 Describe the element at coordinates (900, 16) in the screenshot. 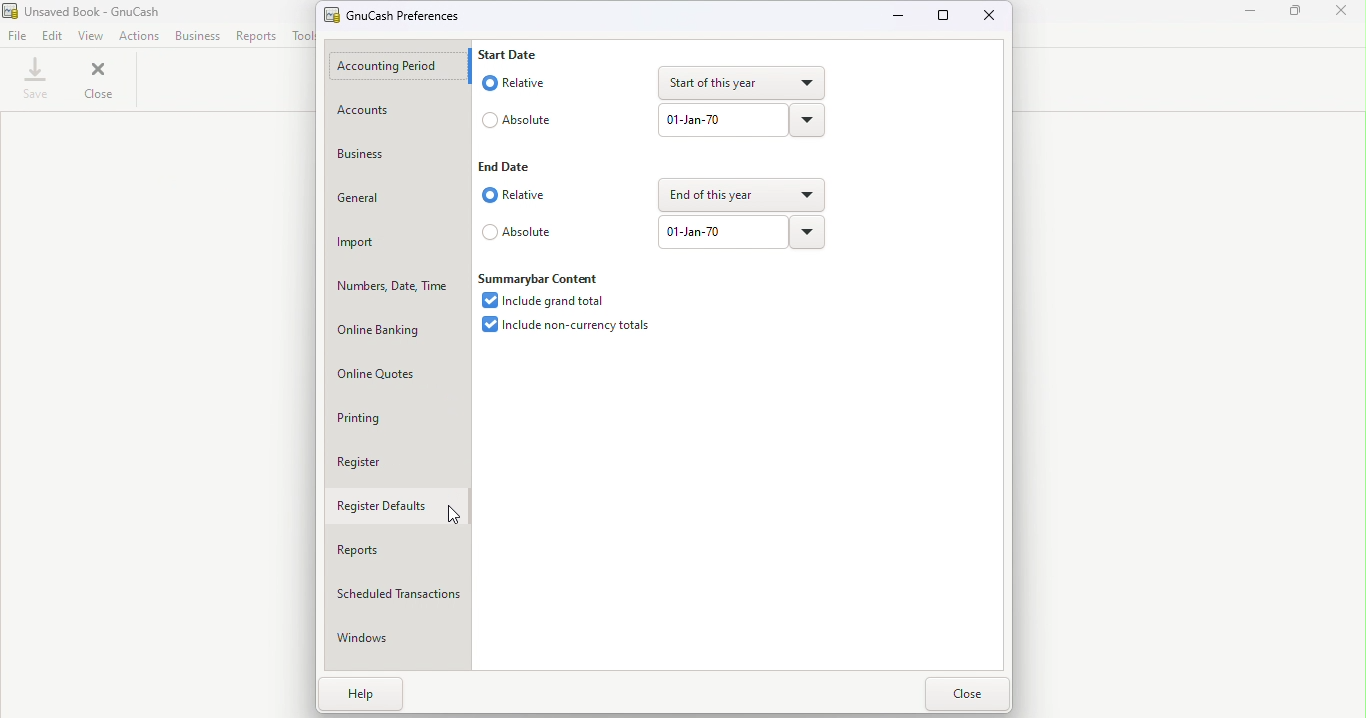

I see `Minimize` at that location.